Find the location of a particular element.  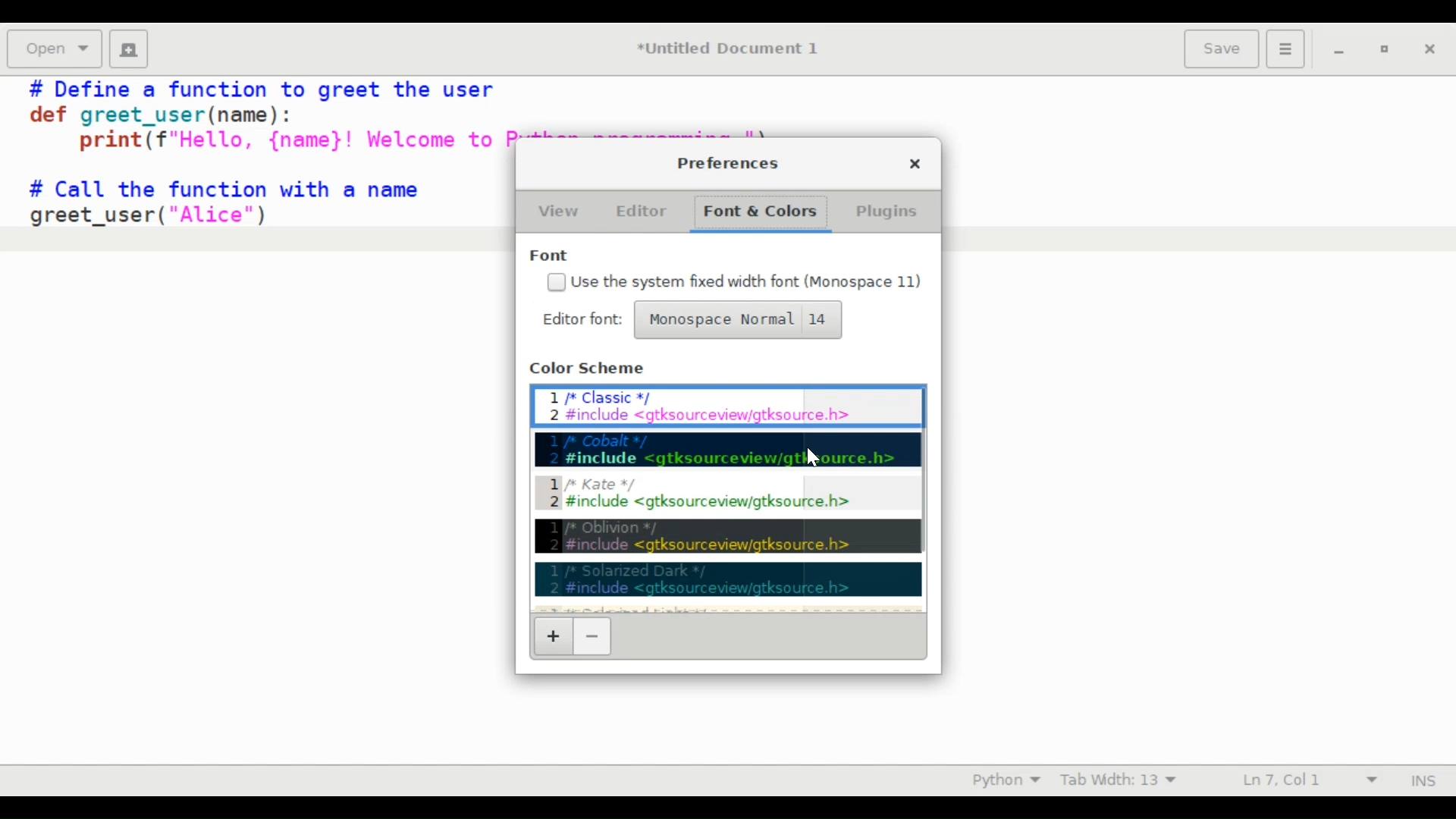

Close is located at coordinates (1428, 48).